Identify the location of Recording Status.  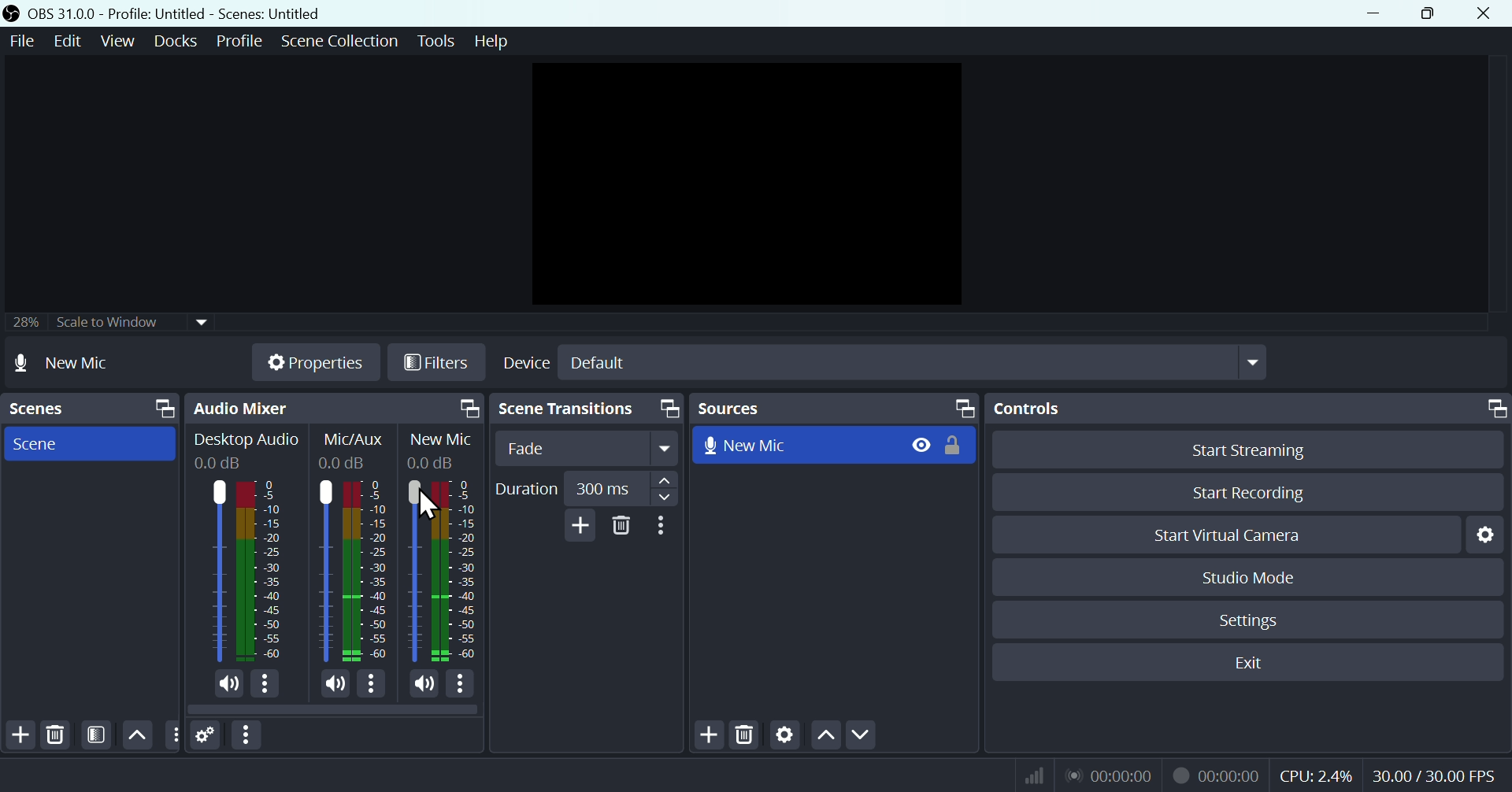
(1217, 775).